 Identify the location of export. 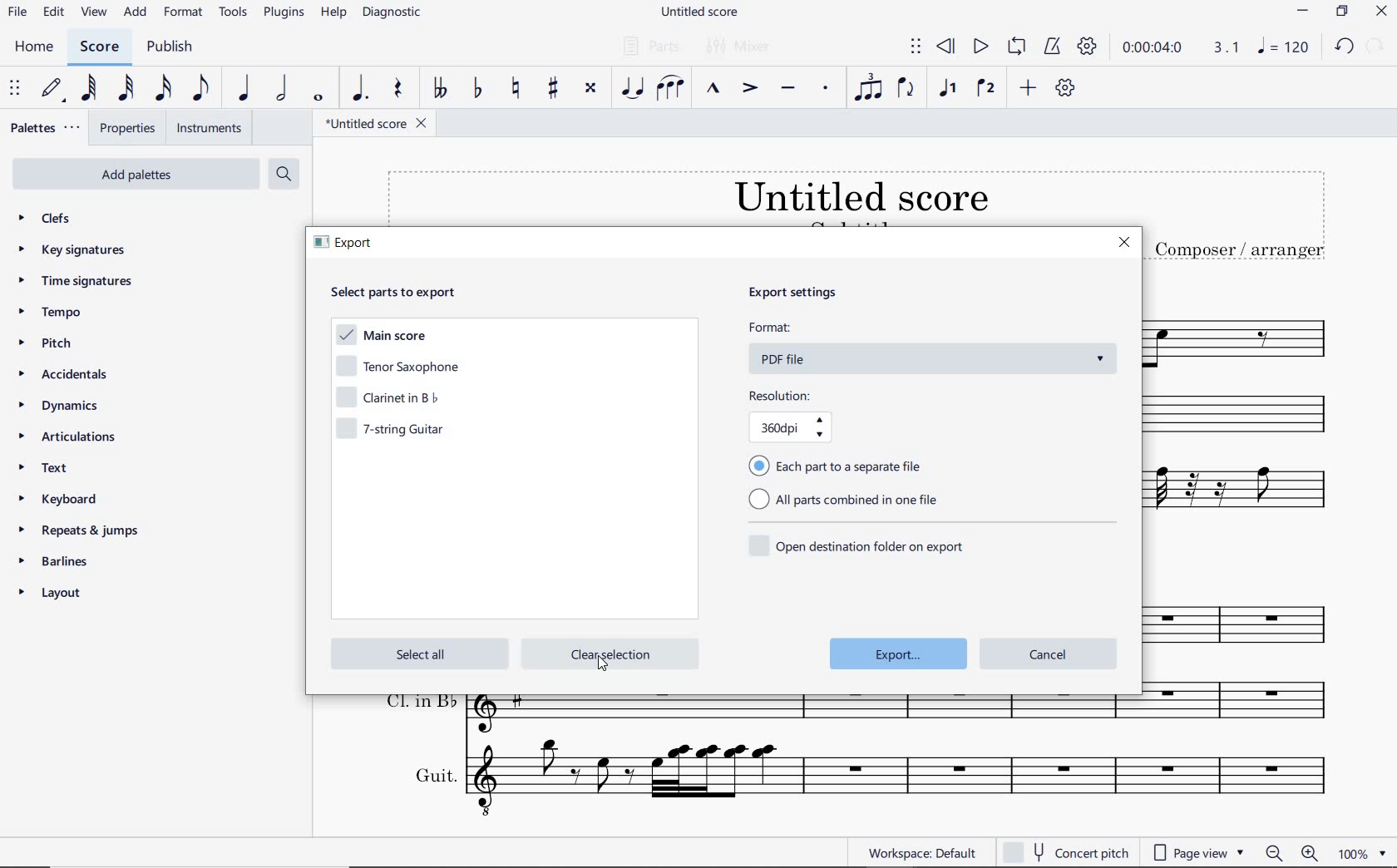
(900, 653).